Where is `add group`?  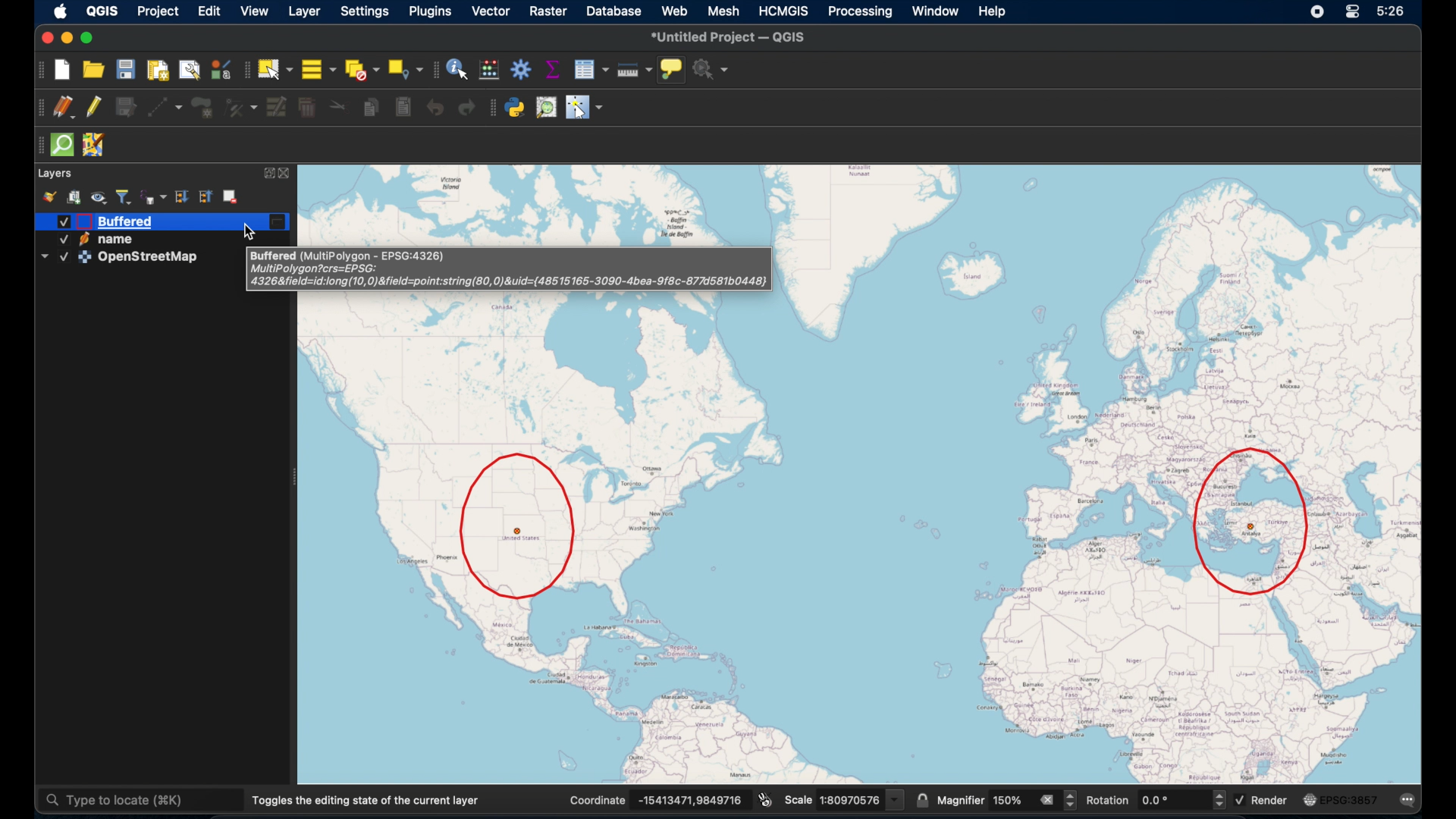 add group is located at coordinates (74, 195).